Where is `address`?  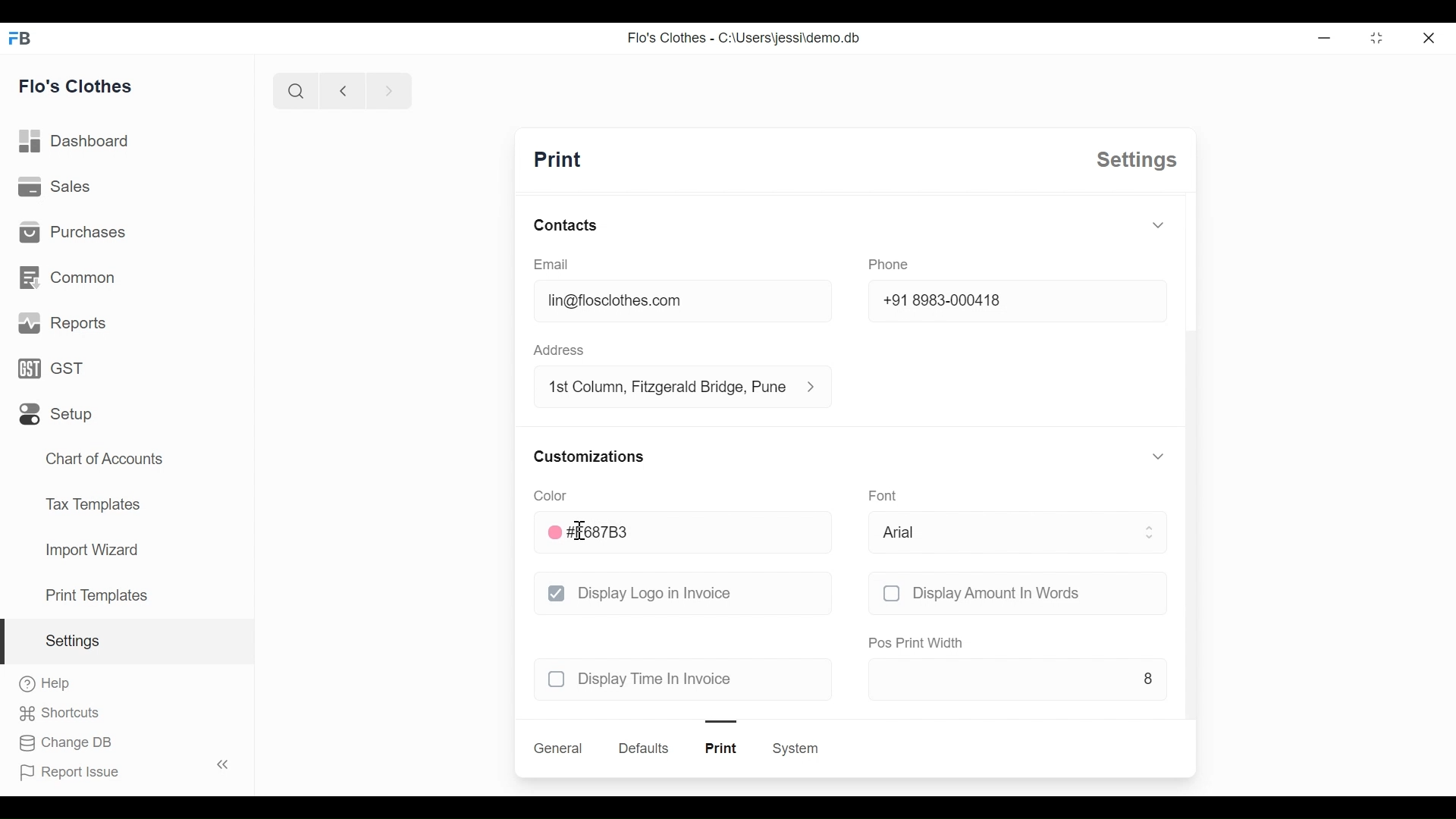
address is located at coordinates (558, 350).